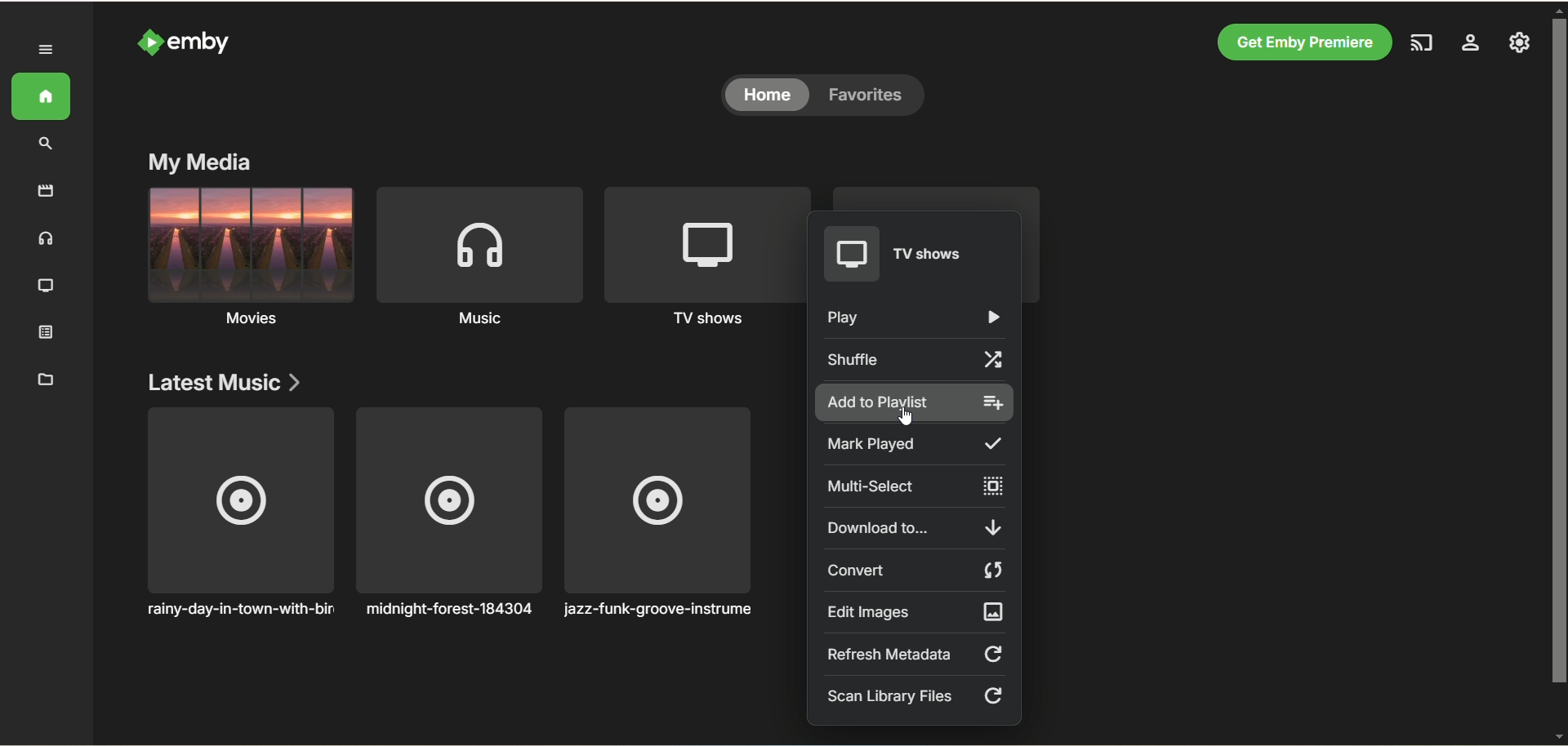 The height and width of the screenshot is (746, 1568). What do you see at coordinates (47, 287) in the screenshot?
I see `TV shows` at bounding box center [47, 287].